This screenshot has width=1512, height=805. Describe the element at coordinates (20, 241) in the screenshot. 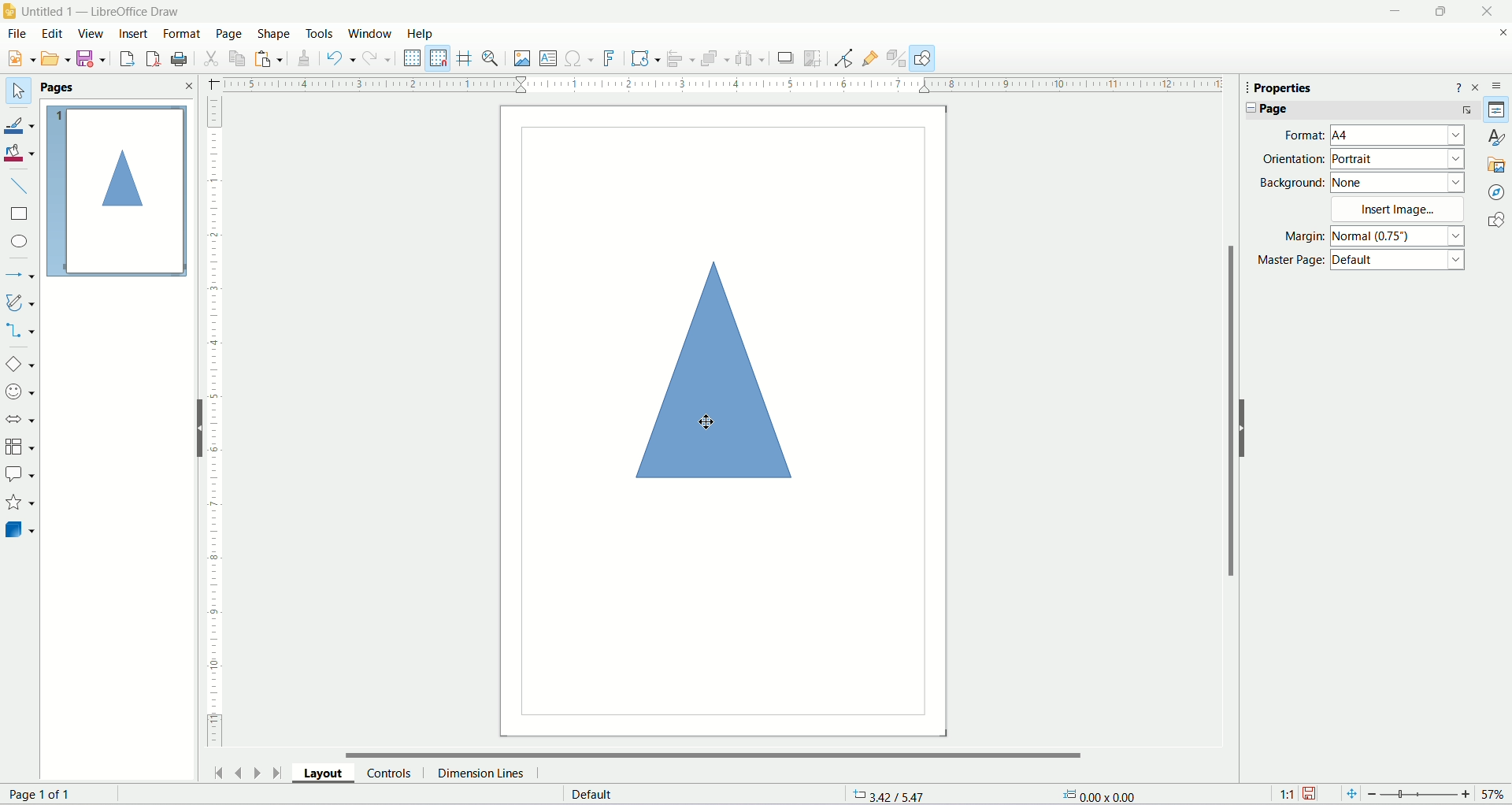

I see `Ellipse` at that location.